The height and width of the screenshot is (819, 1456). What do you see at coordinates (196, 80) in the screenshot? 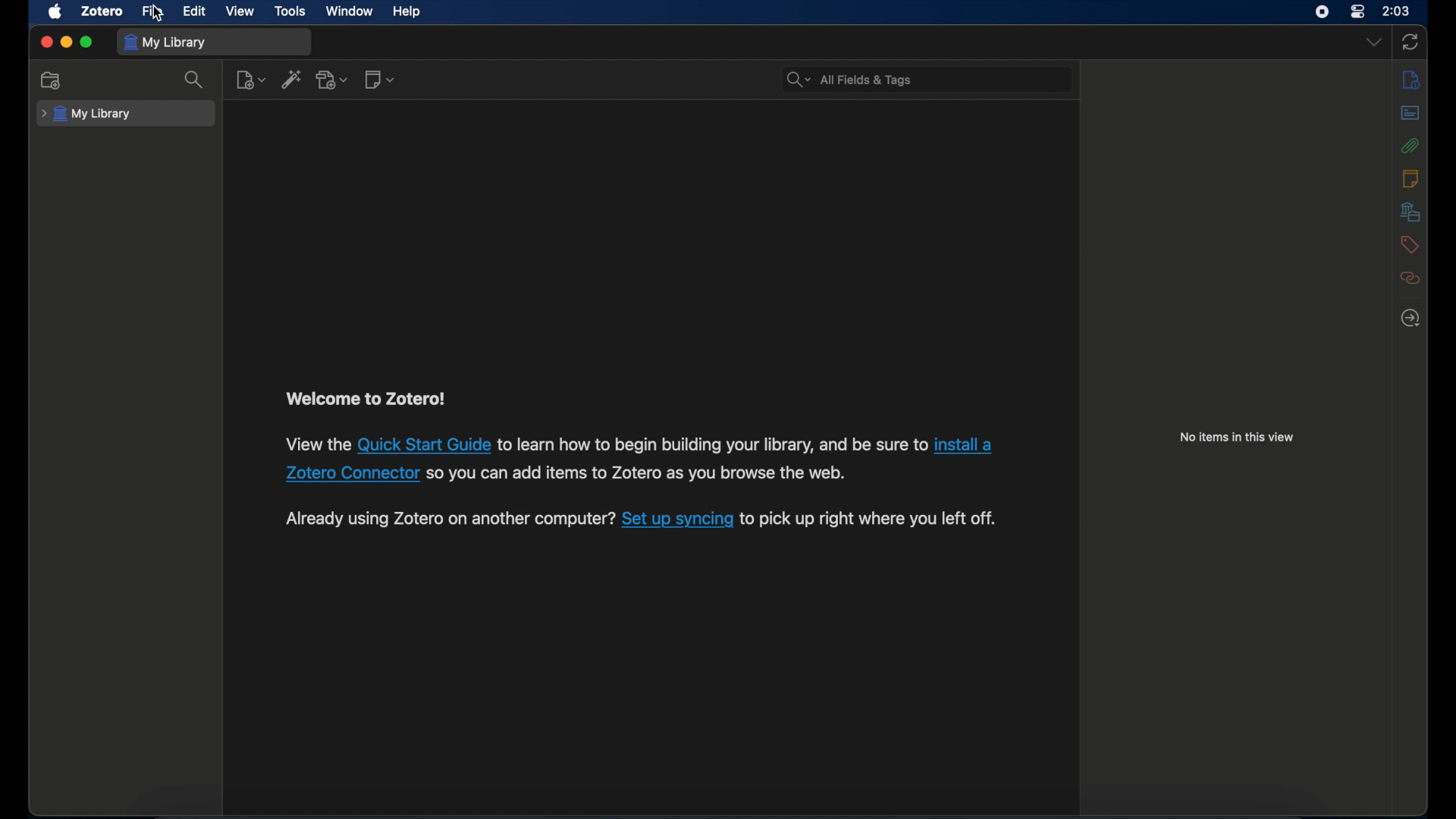
I see `search` at bounding box center [196, 80].